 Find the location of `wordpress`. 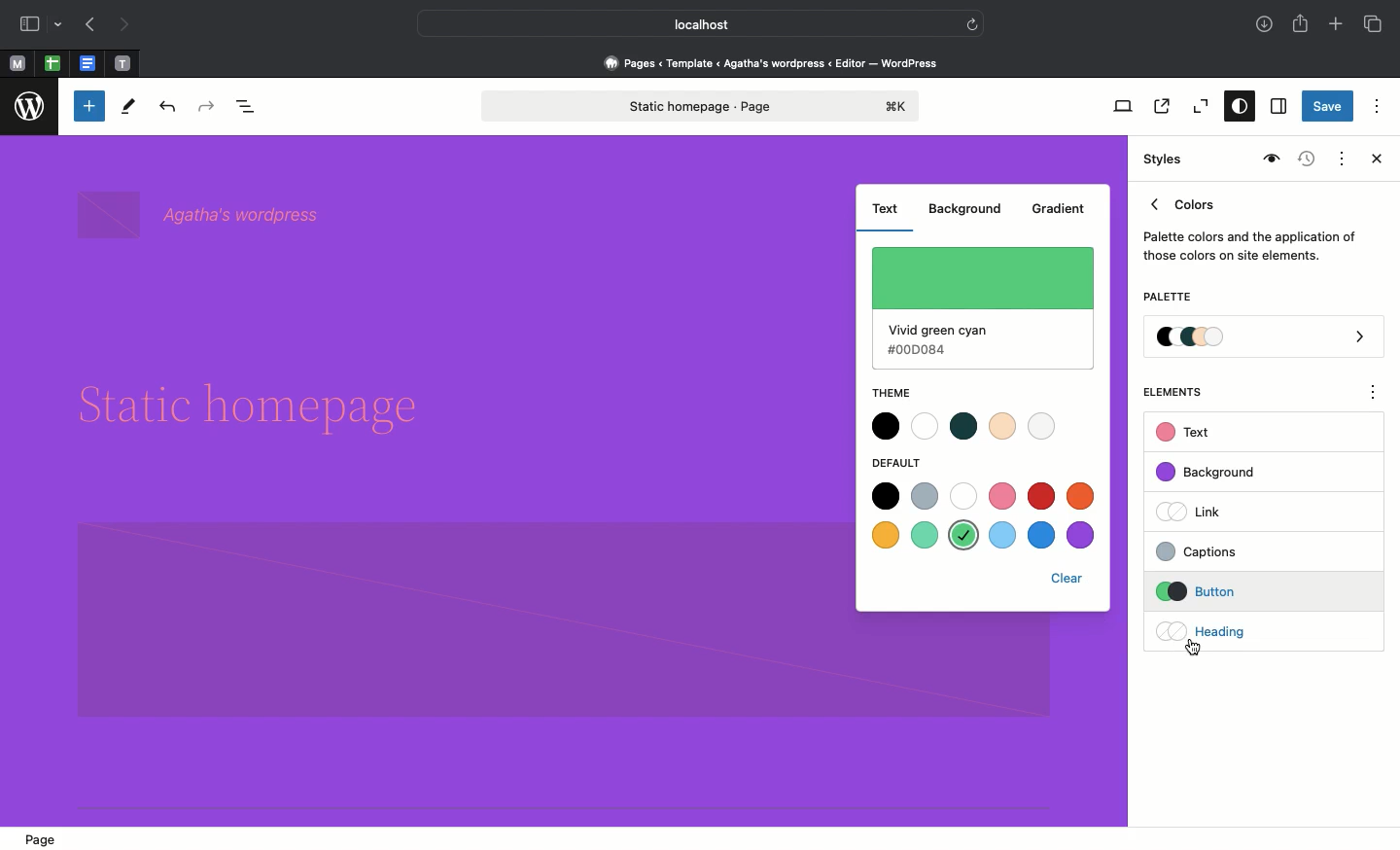

wordpress is located at coordinates (30, 107).